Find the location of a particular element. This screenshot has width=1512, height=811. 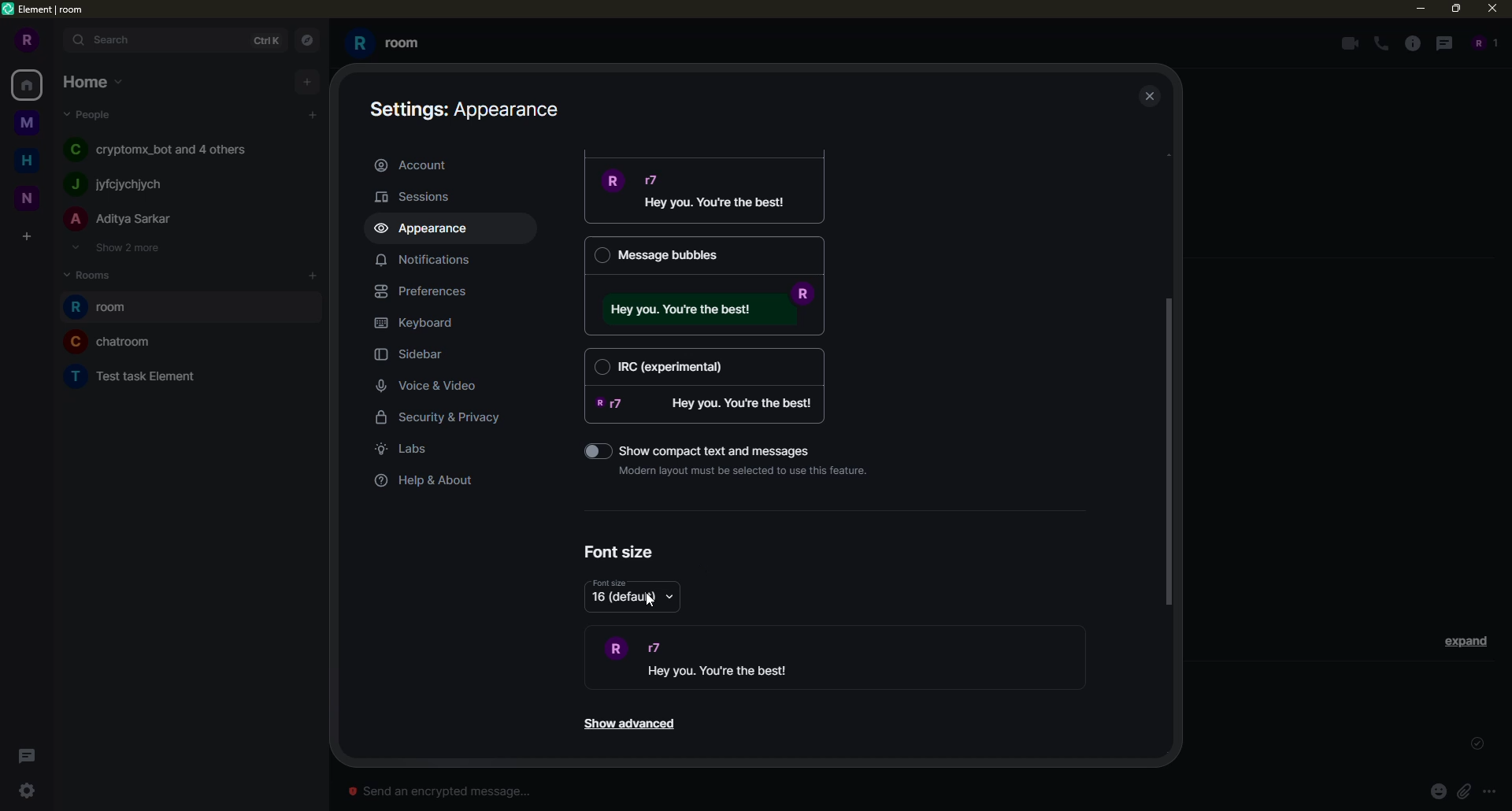

profile is located at coordinates (24, 40).